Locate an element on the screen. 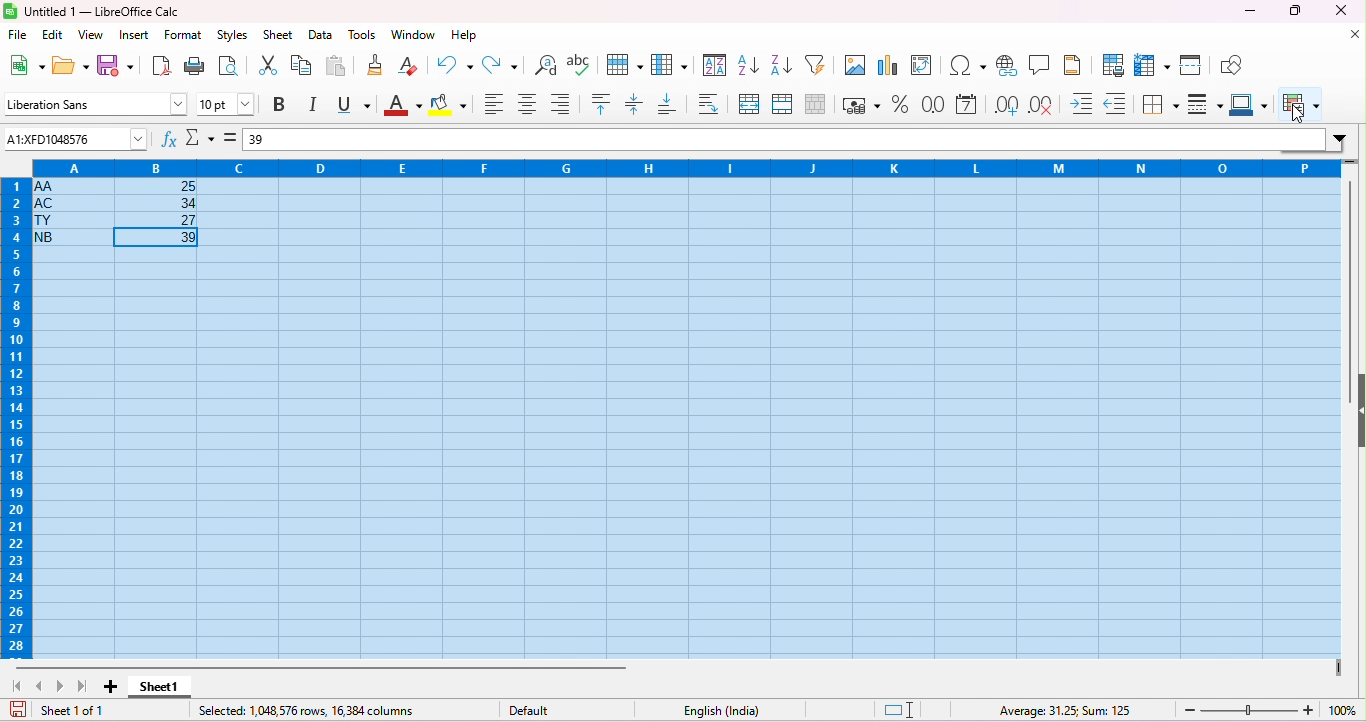 The height and width of the screenshot is (722, 1366). maximize is located at coordinates (1293, 10).